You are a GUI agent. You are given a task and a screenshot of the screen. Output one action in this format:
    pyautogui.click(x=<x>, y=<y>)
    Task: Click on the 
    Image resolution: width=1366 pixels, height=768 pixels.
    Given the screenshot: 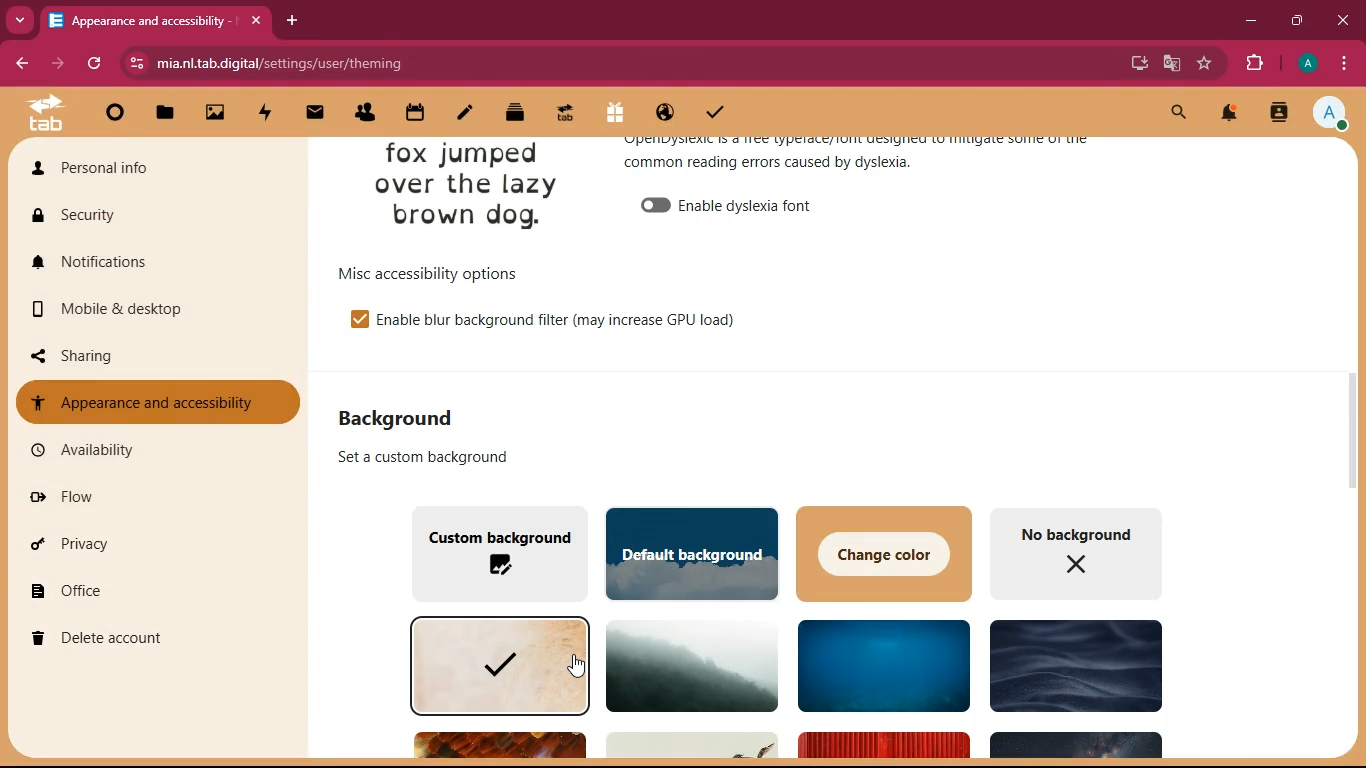 What is the action you would take?
    pyautogui.click(x=694, y=746)
    